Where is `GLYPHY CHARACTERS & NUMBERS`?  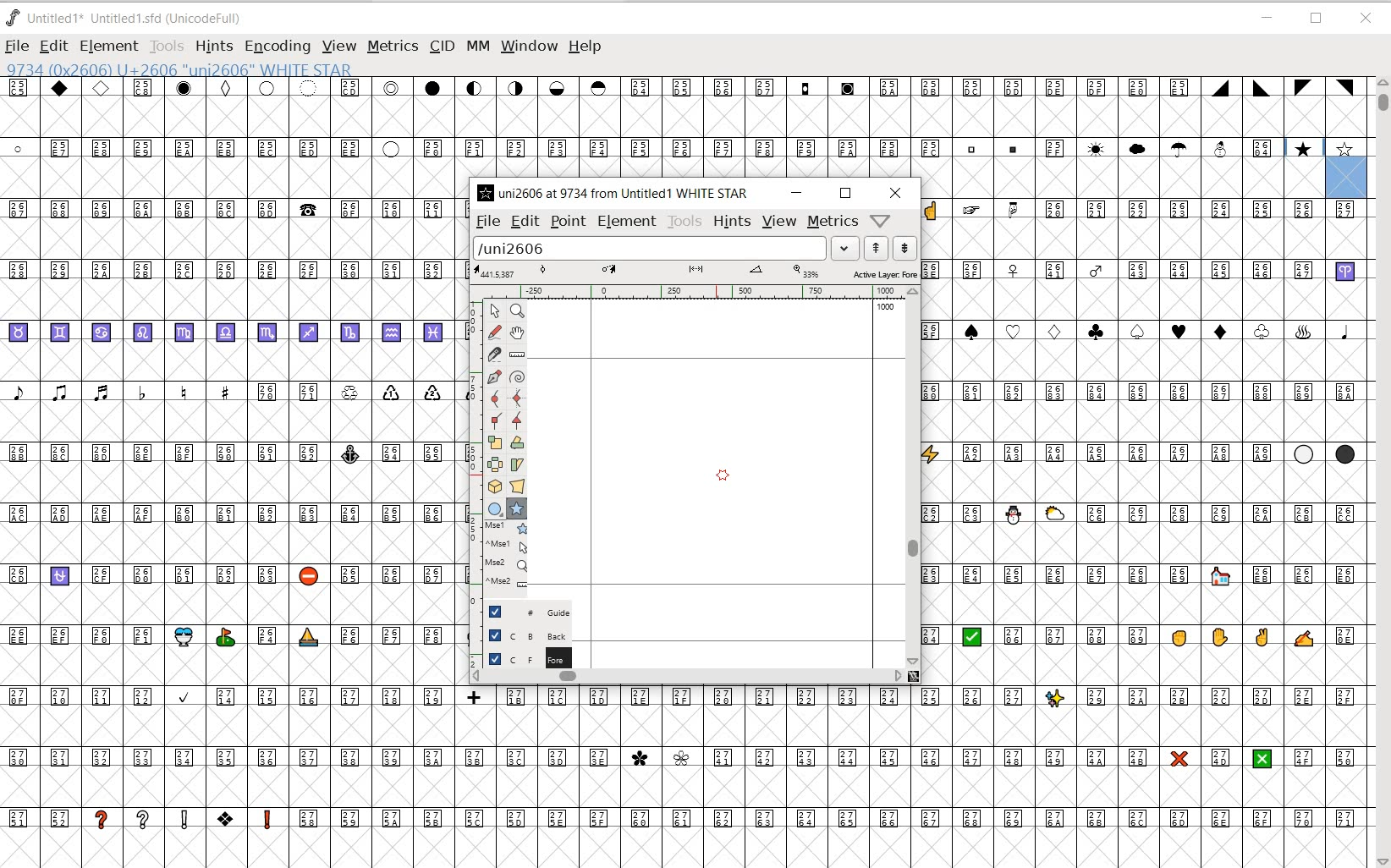 GLYPHY CHARACTERS & NUMBERS is located at coordinates (658, 127).